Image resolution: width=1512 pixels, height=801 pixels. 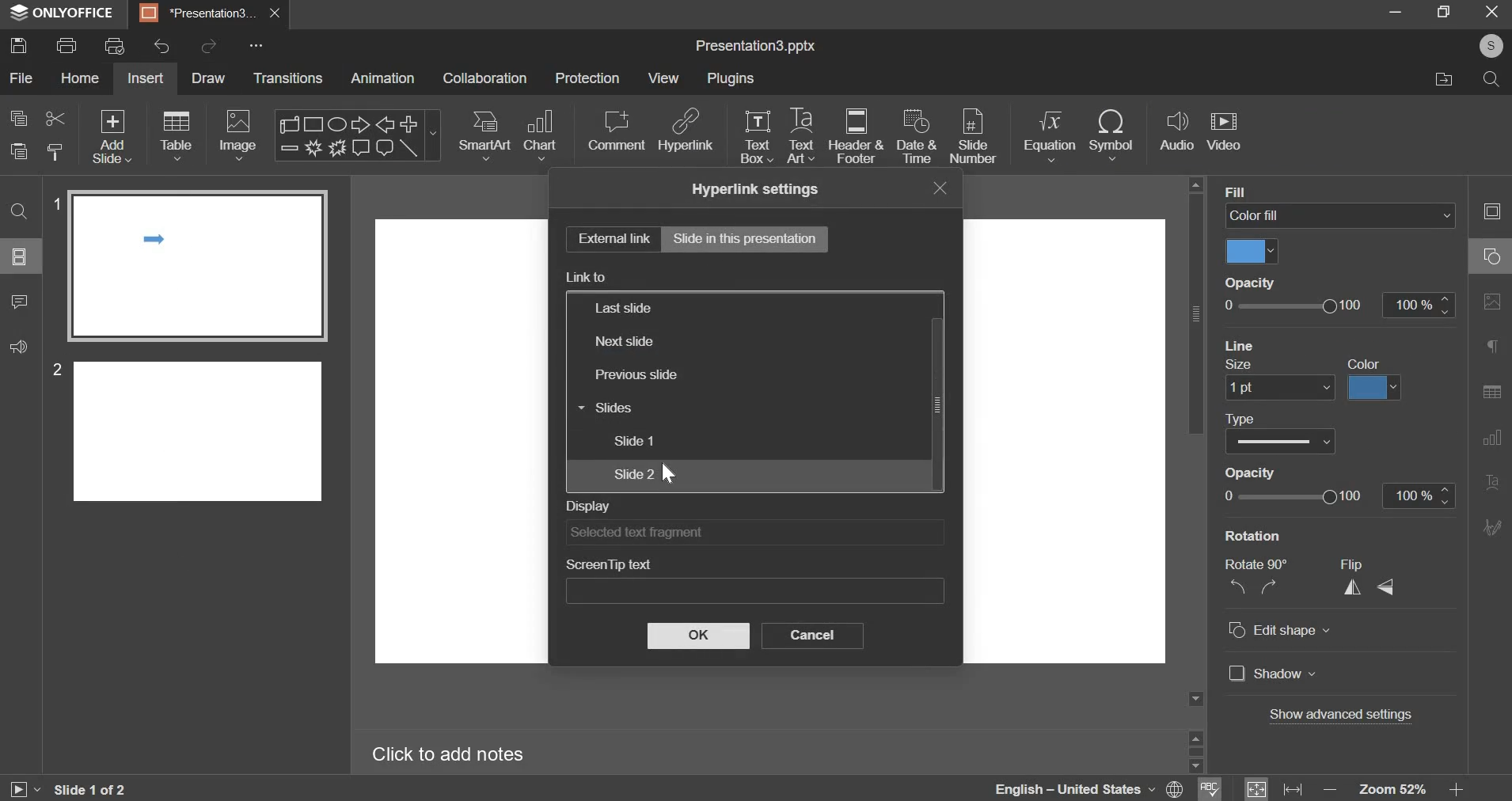 I want to click on Scroll up, so click(x=1195, y=184).